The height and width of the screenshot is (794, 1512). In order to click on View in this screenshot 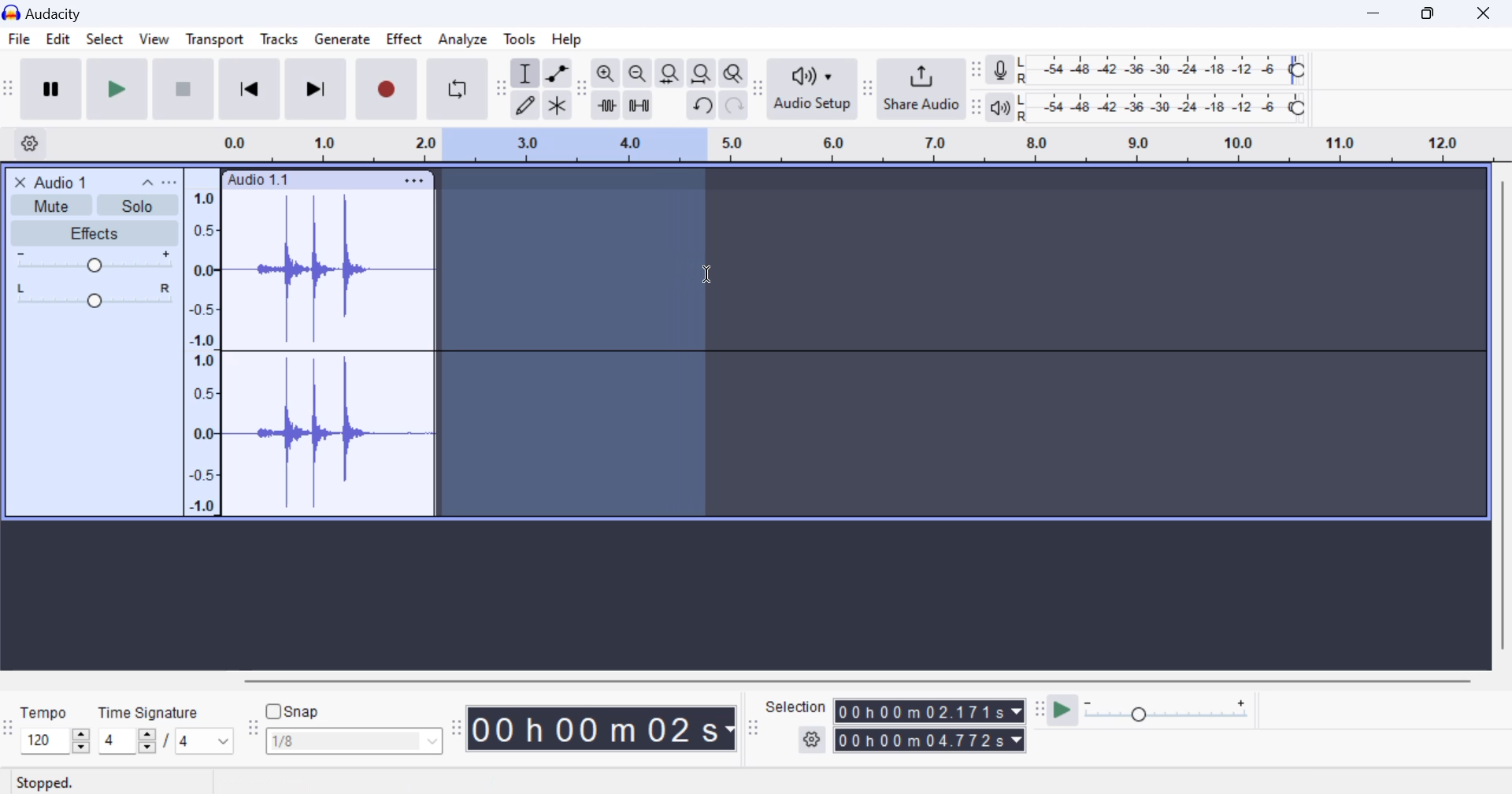, I will do `click(153, 43)`.